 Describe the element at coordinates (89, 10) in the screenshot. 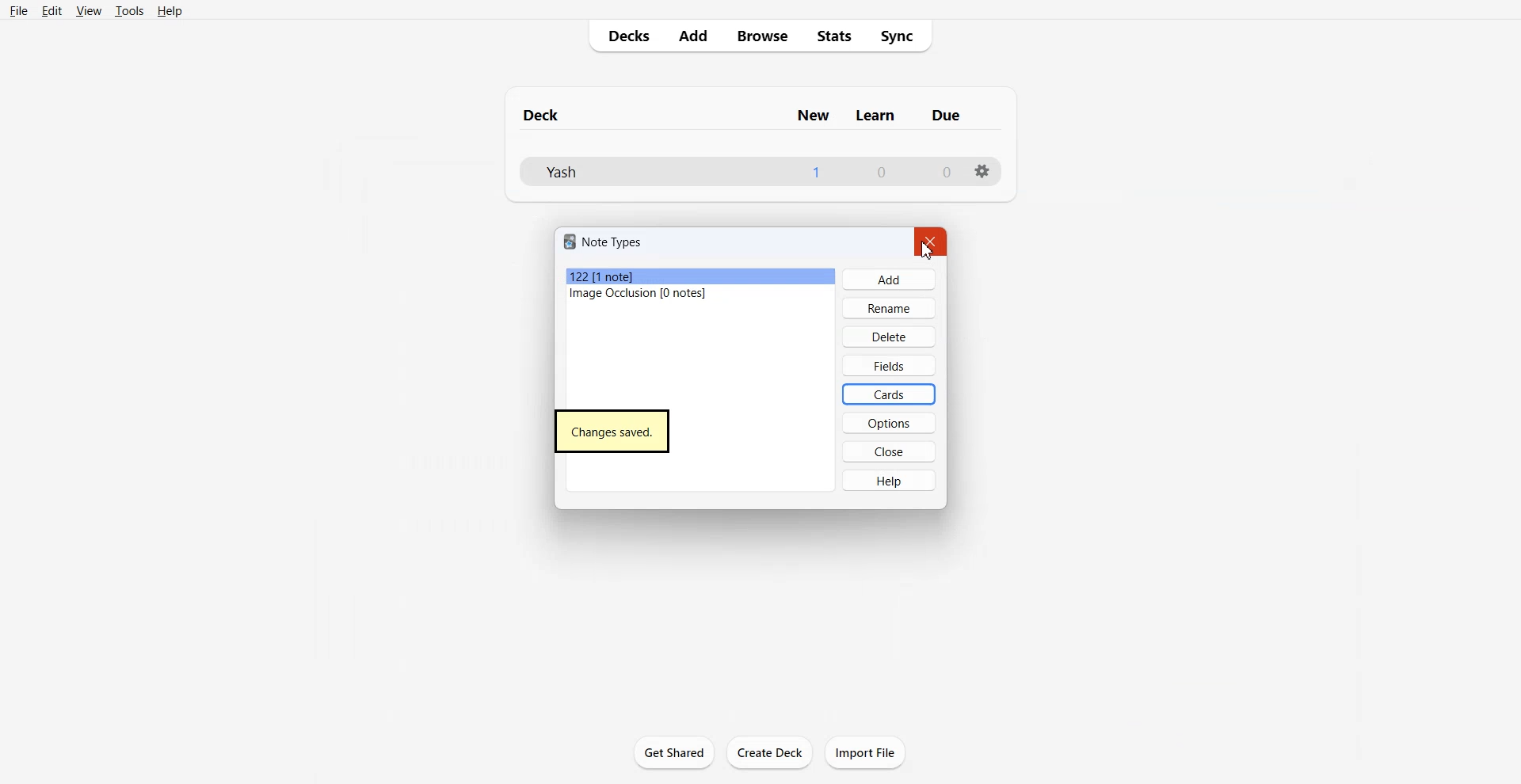

I see `View` at that location.